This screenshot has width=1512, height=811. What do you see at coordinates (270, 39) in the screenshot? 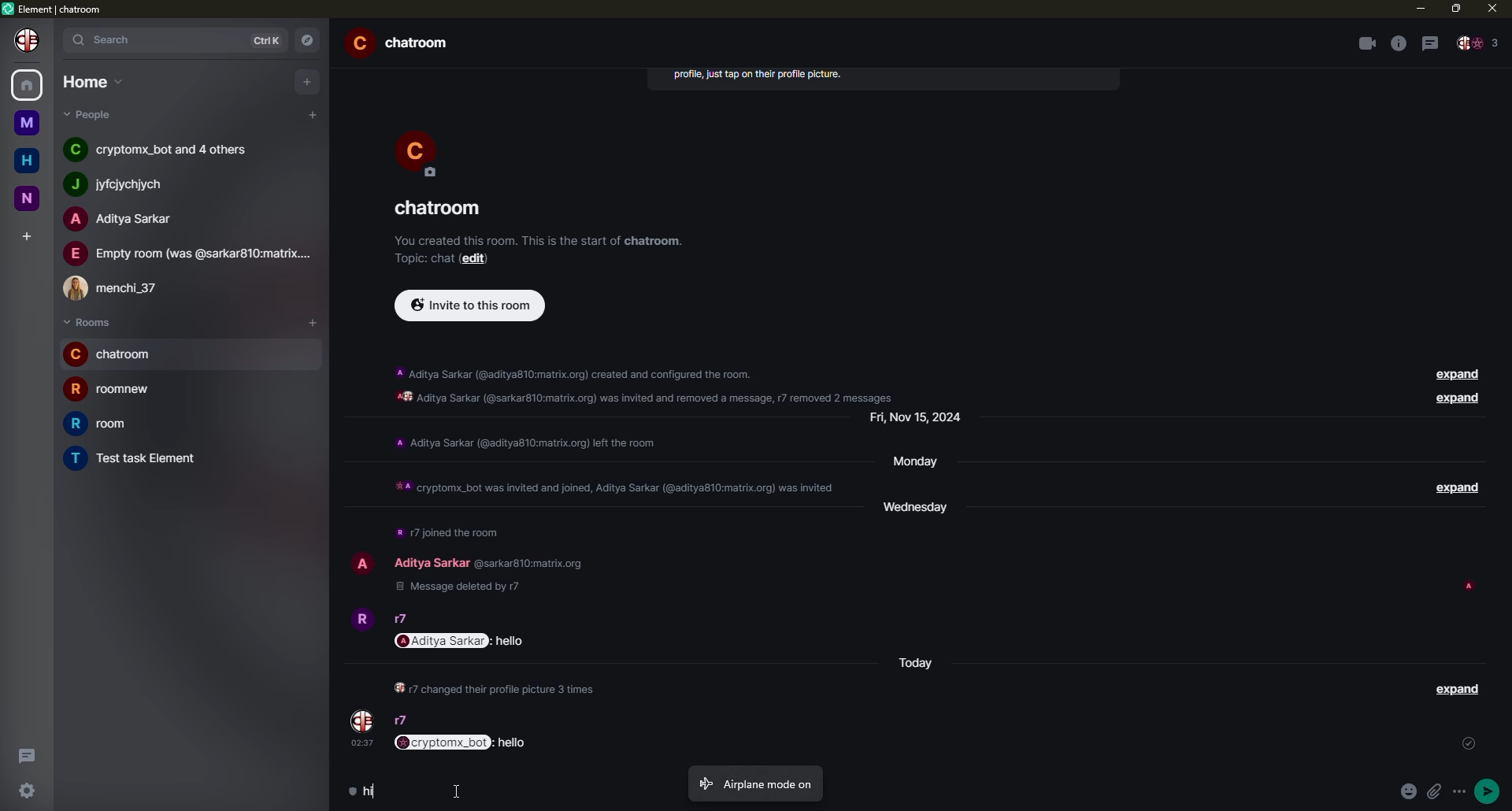
I see `ctrlK` at bounding box center [270, 39].